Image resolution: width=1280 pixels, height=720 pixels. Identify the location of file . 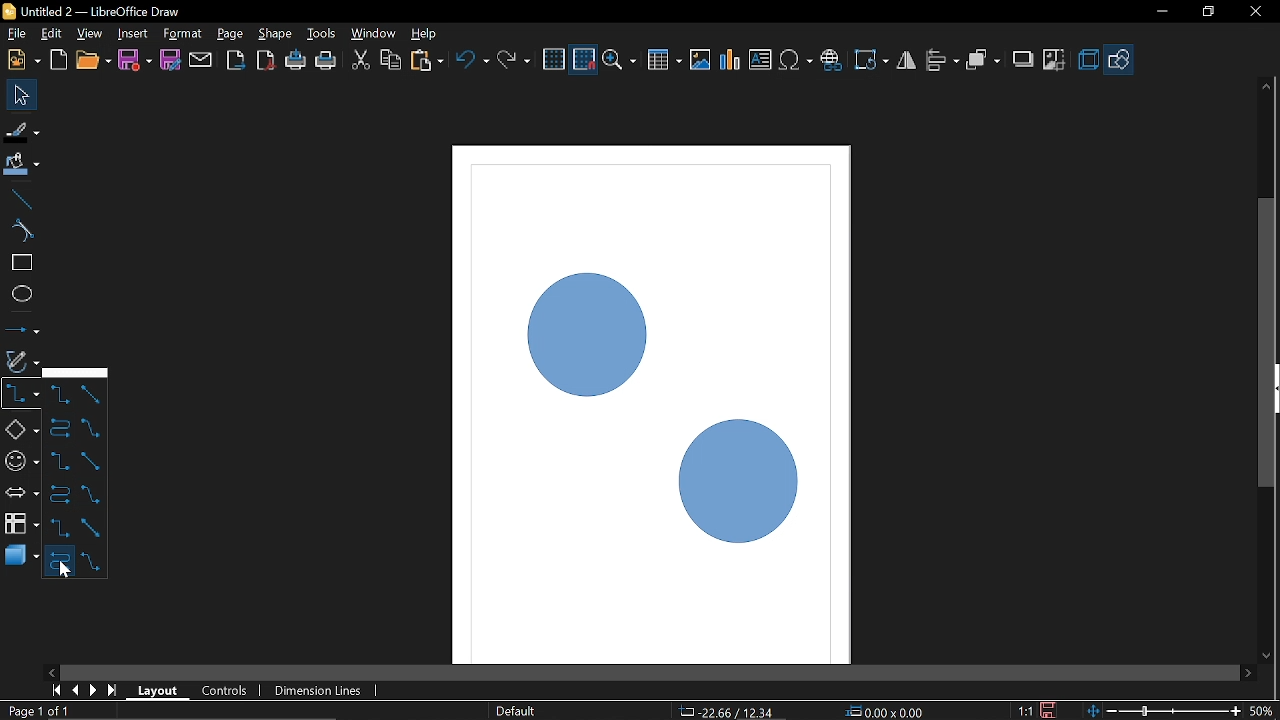
(15, 34).